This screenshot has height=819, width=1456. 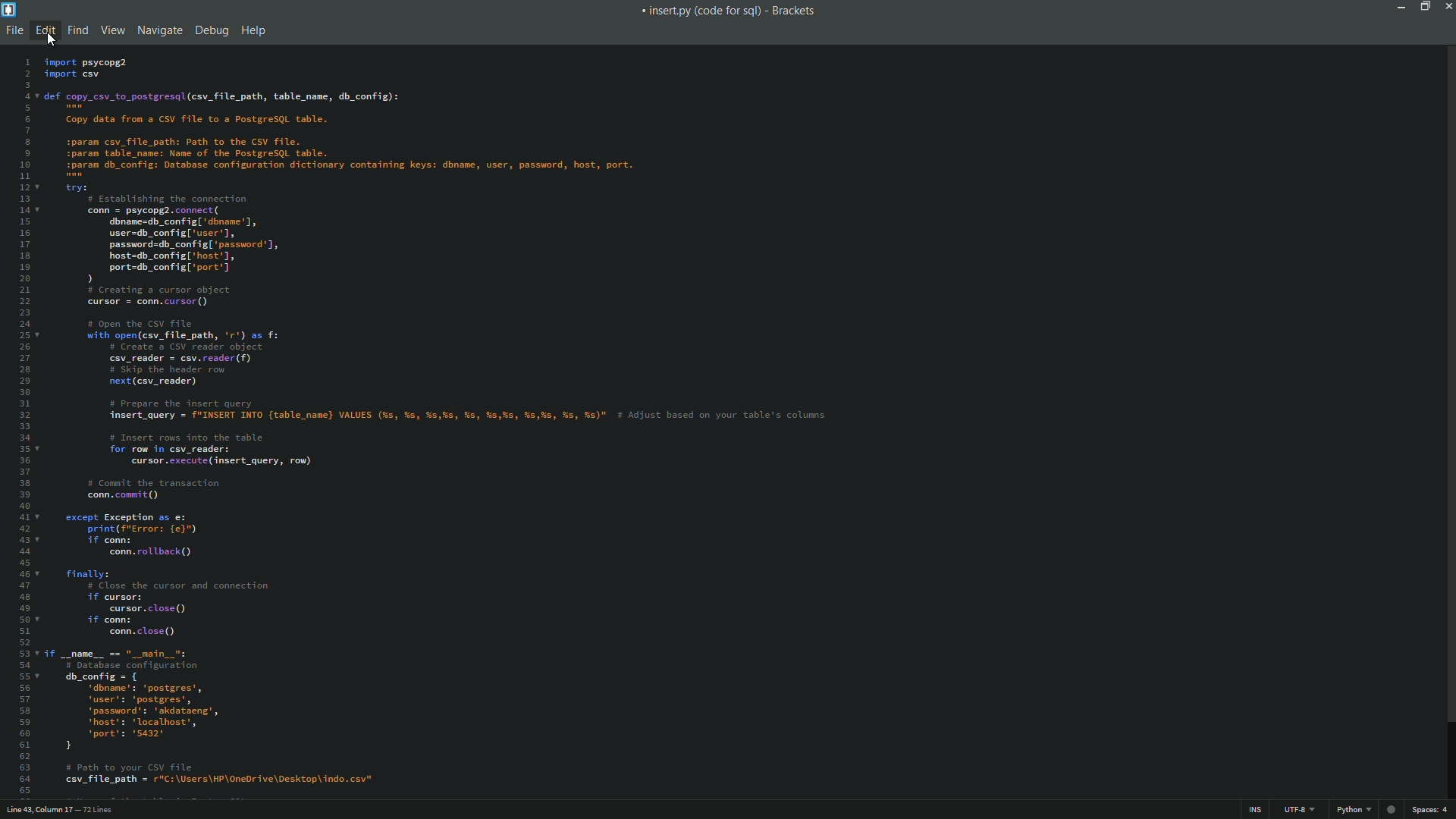 I want to click on cursor, so click(x=49, y=45).